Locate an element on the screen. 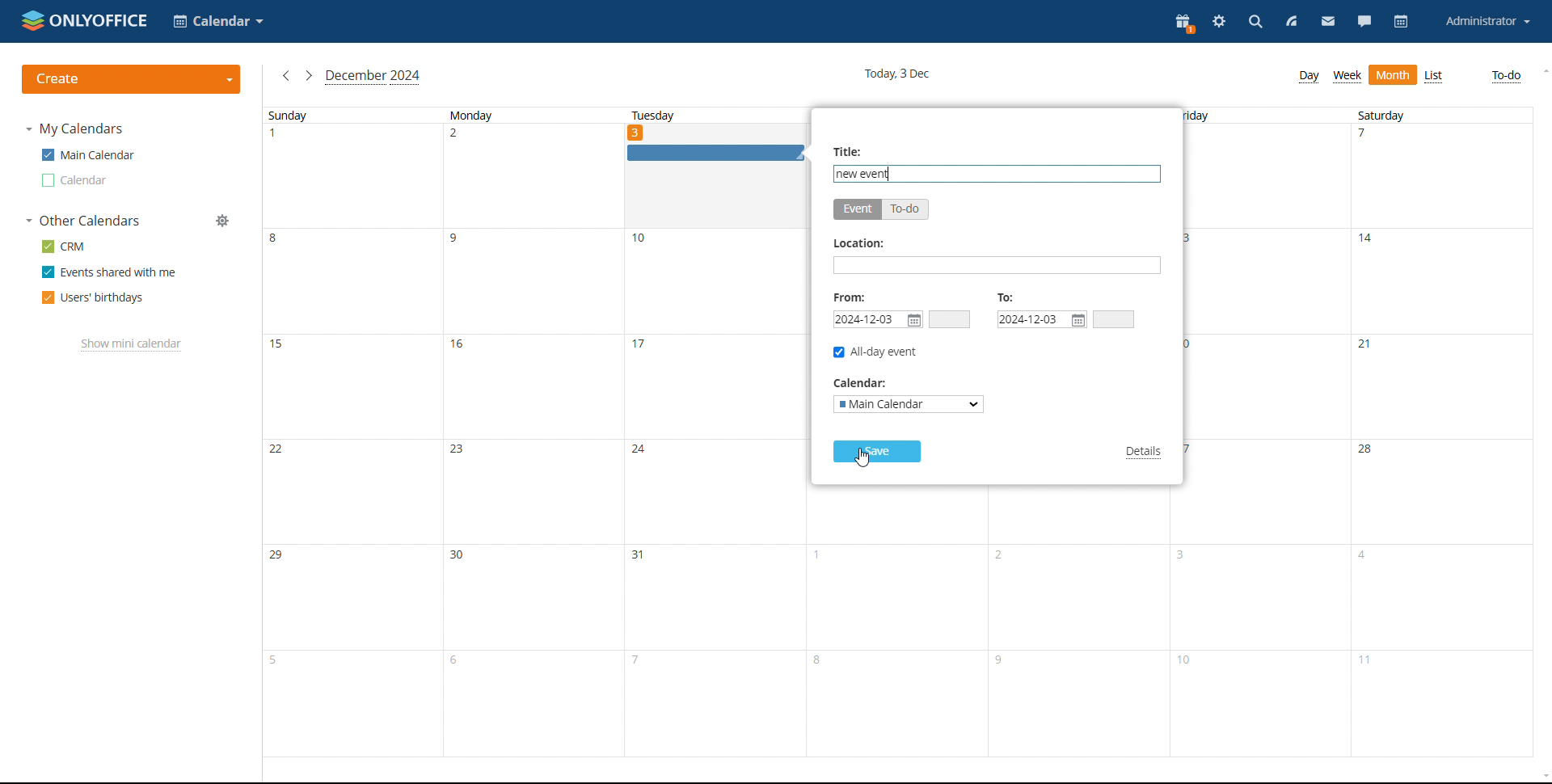 This screenshot has height=784, width=1552. end time is located at coordinates (1113, 319).